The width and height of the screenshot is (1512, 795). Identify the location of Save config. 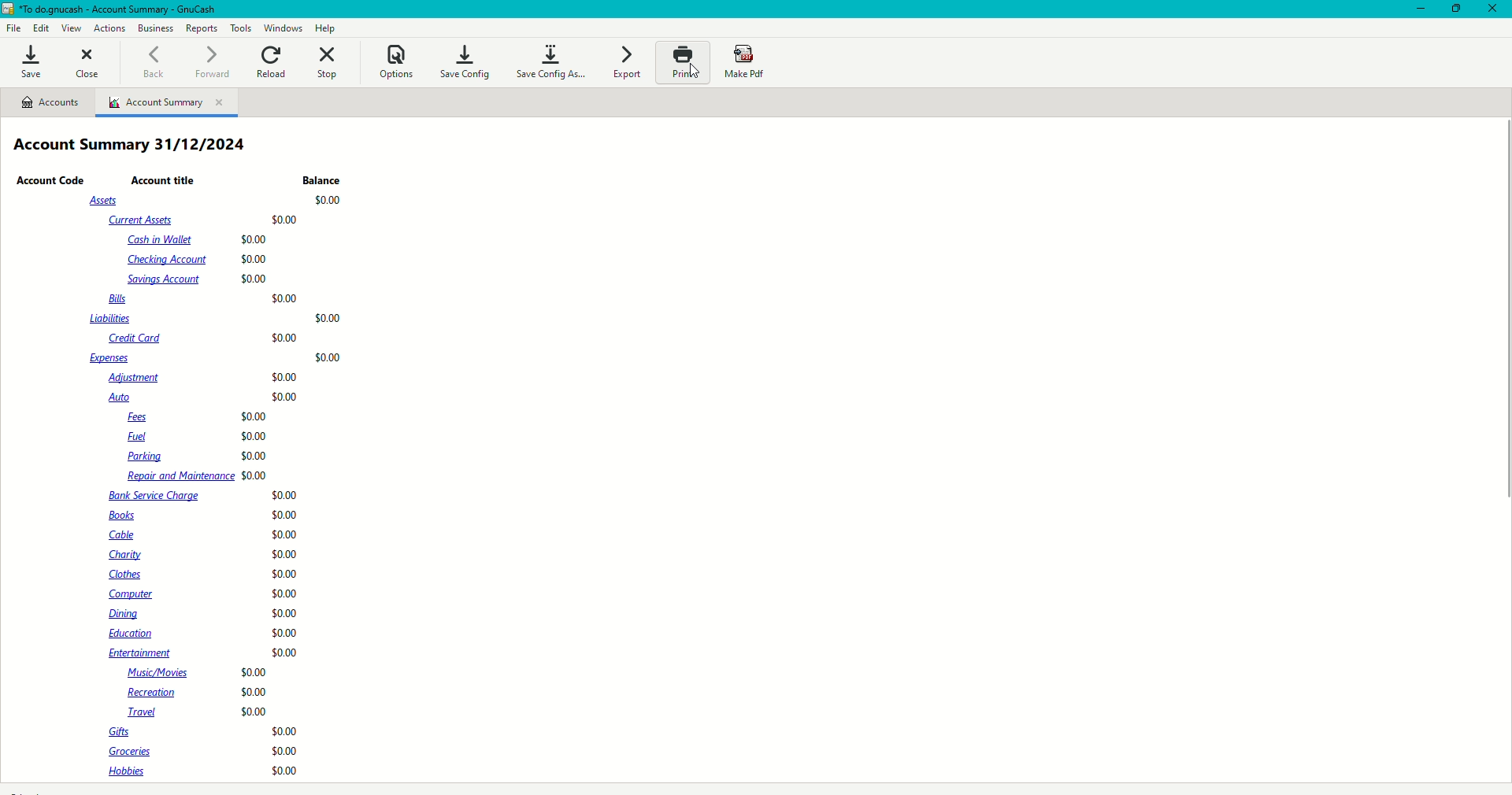
(468, 61).